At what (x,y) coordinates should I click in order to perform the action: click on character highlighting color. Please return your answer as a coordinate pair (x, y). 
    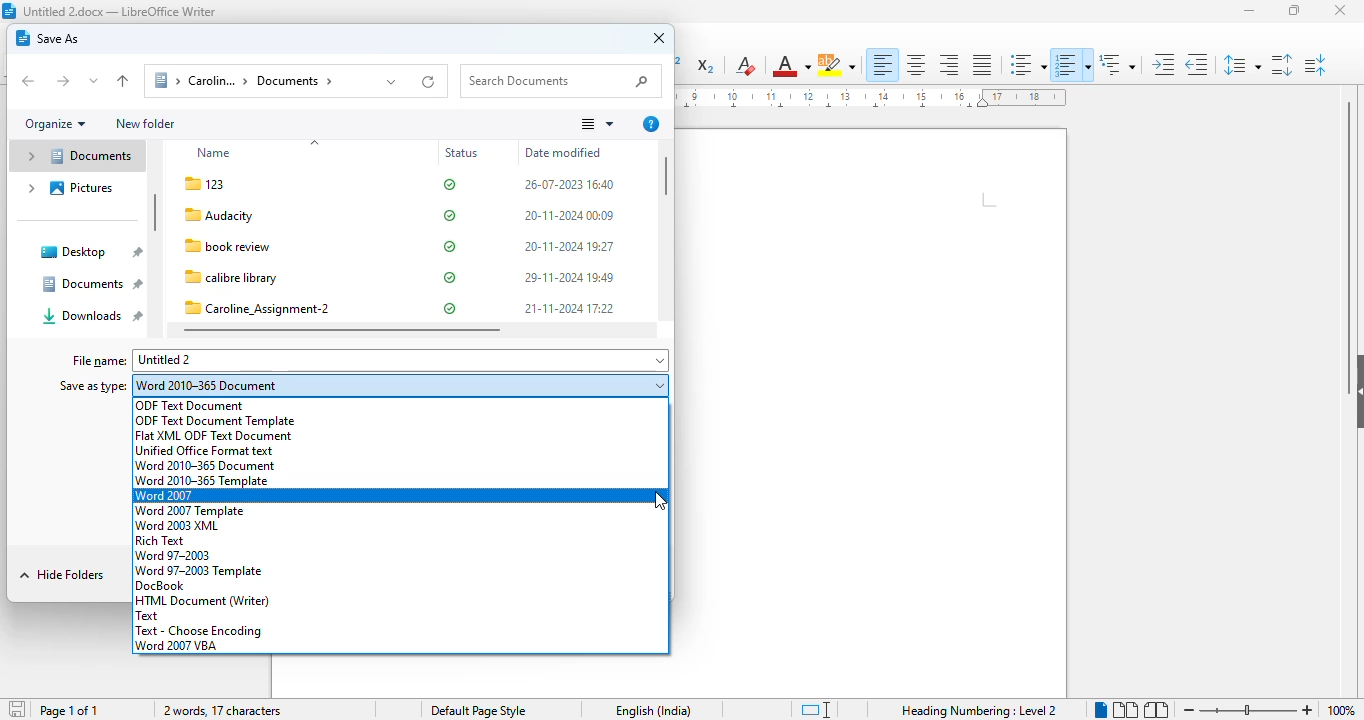
    Looking at the image, I should click on (837, 65).